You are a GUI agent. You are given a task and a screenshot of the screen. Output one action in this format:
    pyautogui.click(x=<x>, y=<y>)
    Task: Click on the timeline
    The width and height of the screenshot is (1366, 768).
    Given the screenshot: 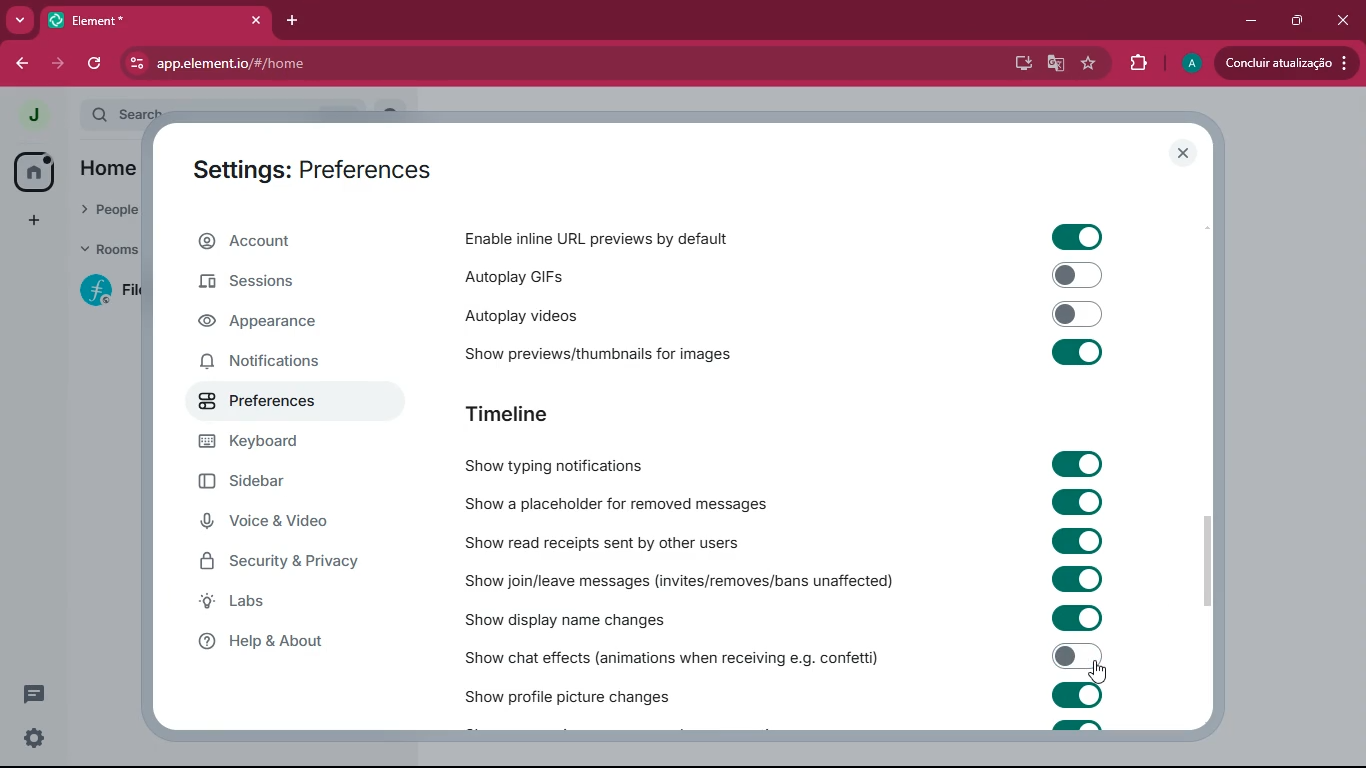 What is the action you would take?
    pyautogui.click(x=539, y=415)
    